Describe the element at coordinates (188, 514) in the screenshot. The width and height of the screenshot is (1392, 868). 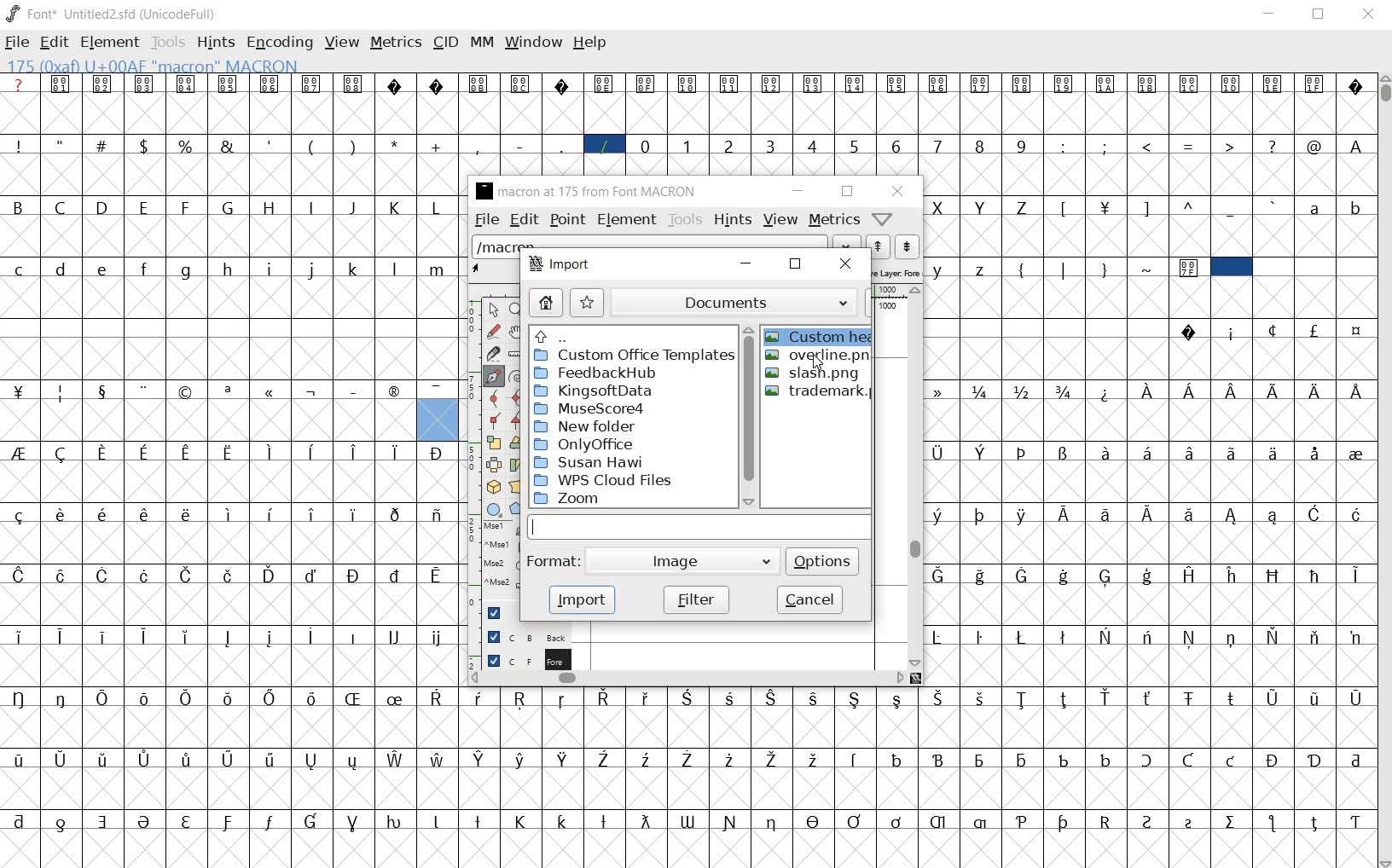
I see `Symbol` at that location.